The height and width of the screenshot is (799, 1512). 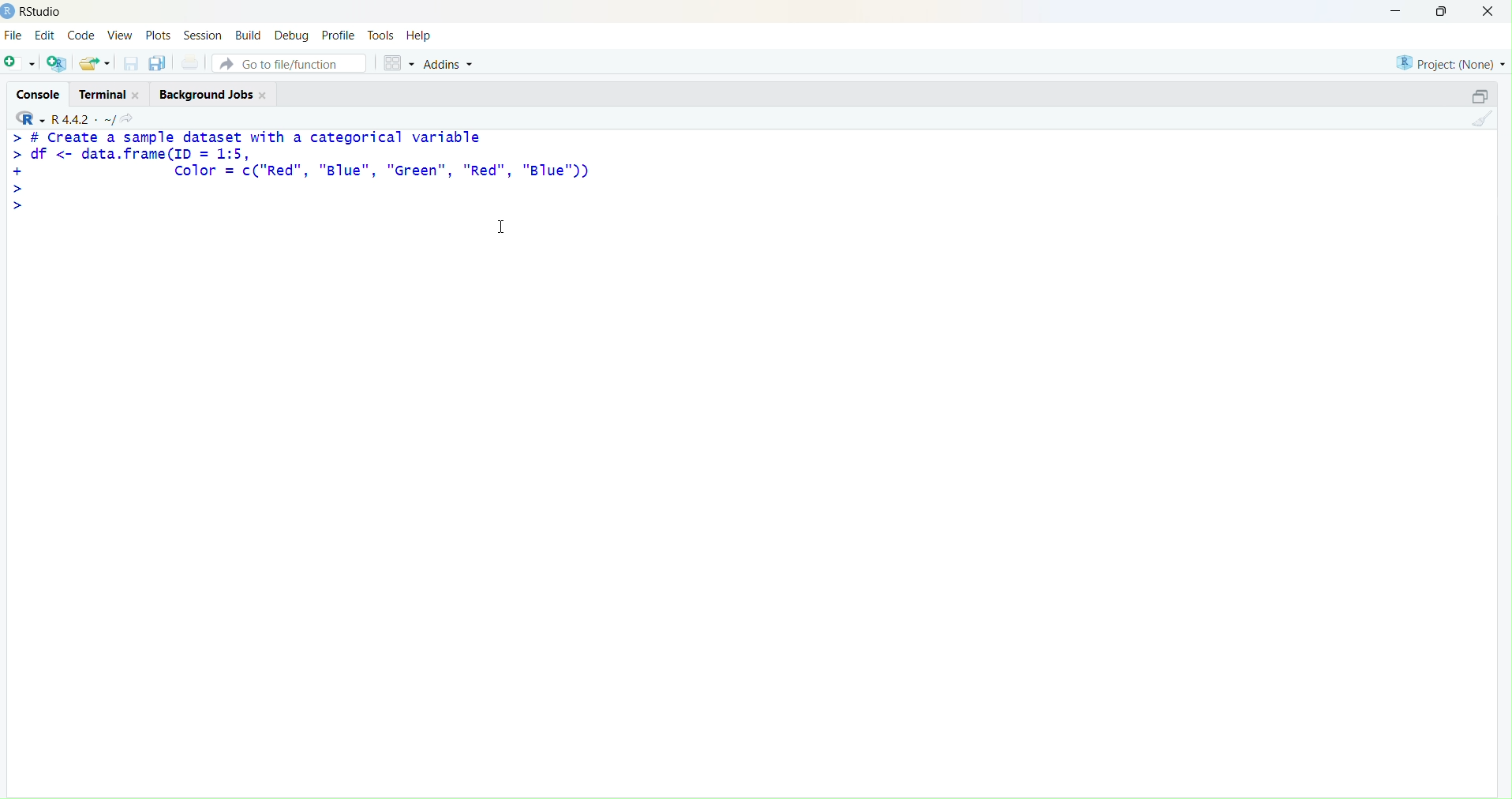 What do you see at coordinates (83, 119) in the screenshot?
I see `R 4.4.2 ~/` at bounding box center [83, 119].